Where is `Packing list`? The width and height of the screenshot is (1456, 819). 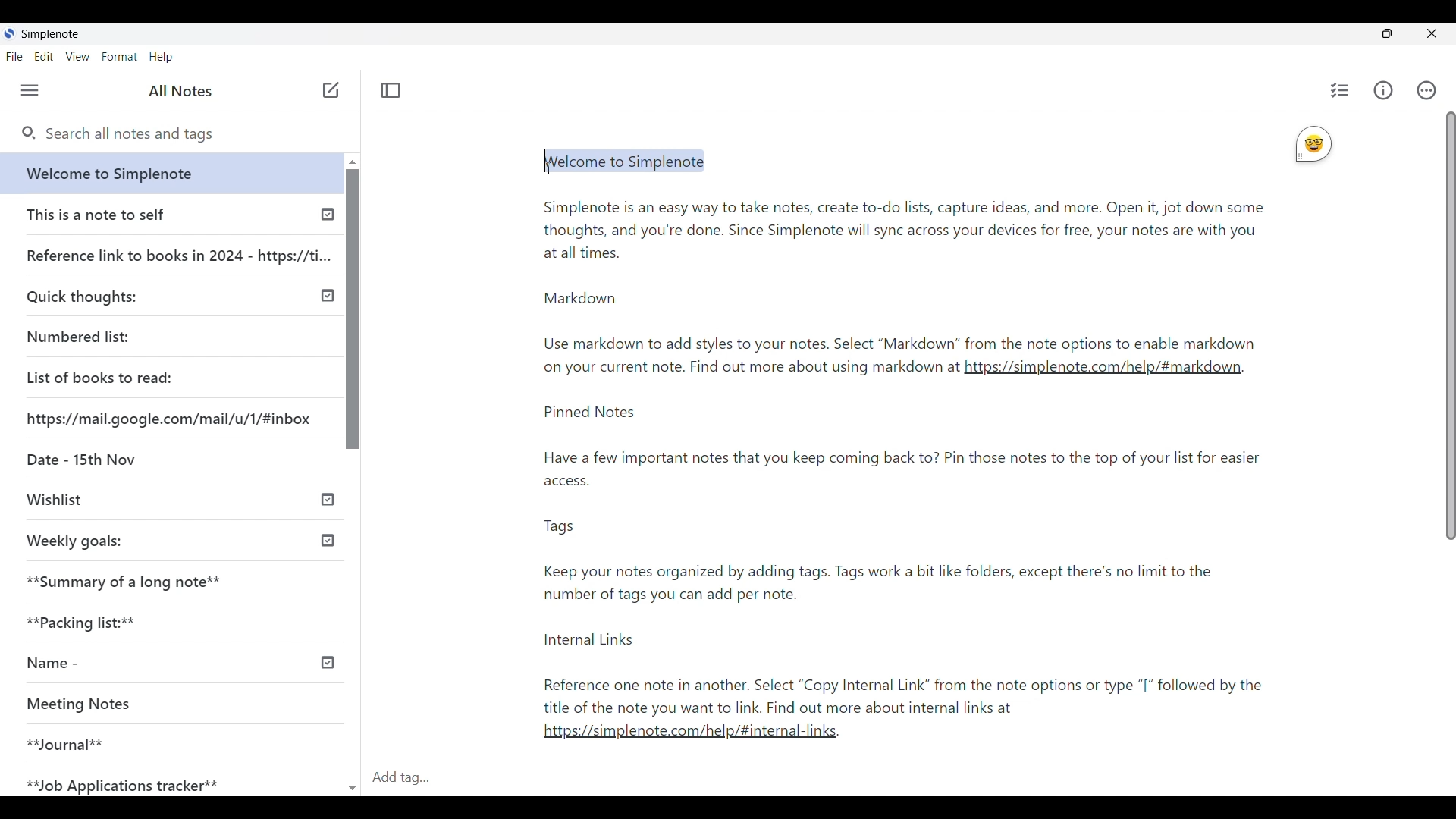
Packing list is located at coordinates (79, 622).